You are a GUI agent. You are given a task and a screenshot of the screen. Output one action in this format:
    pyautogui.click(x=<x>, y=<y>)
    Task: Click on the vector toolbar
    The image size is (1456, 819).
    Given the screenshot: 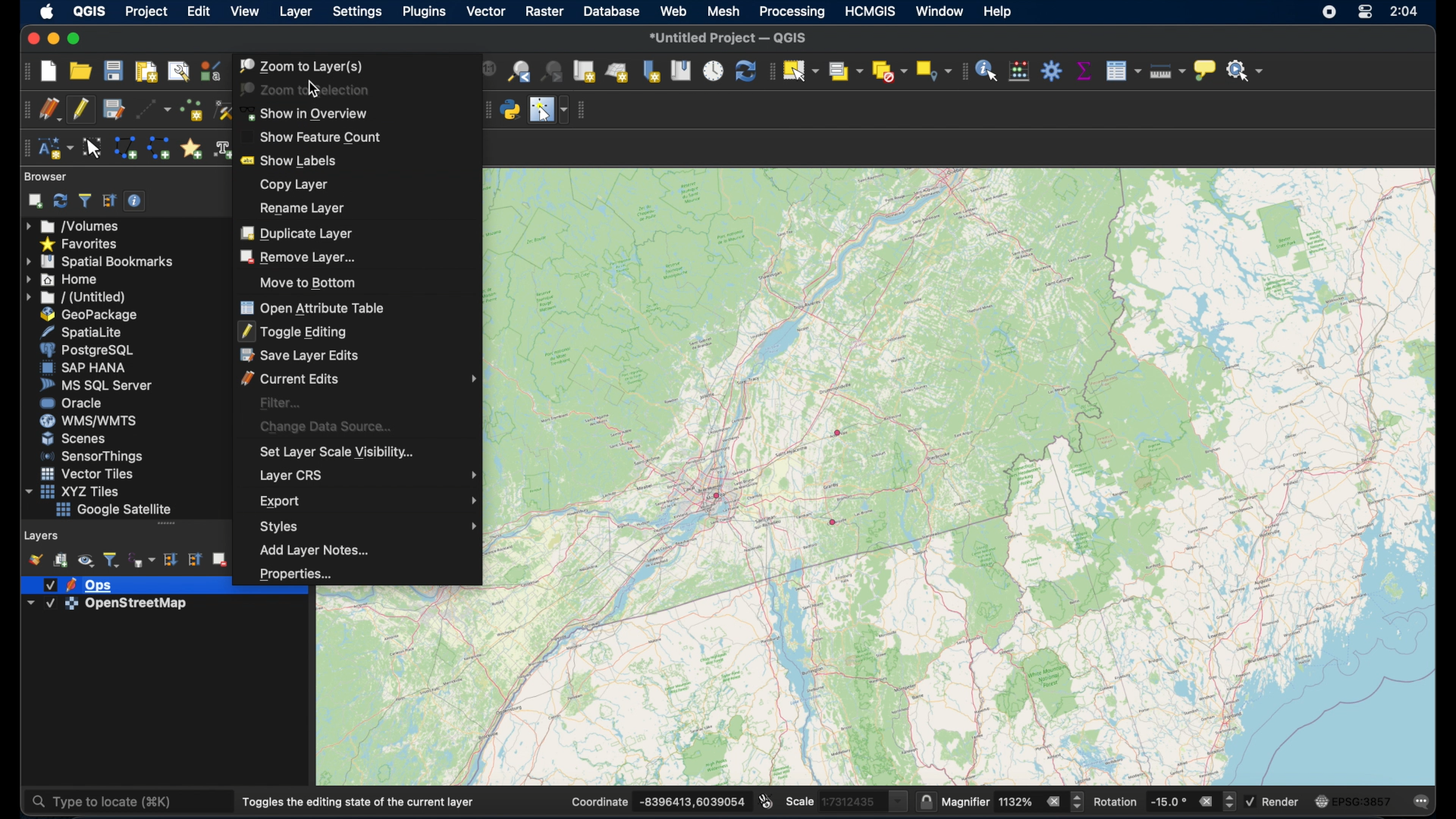 What is the action you would take?
    pyautogui.click(x=585, y=108)
    